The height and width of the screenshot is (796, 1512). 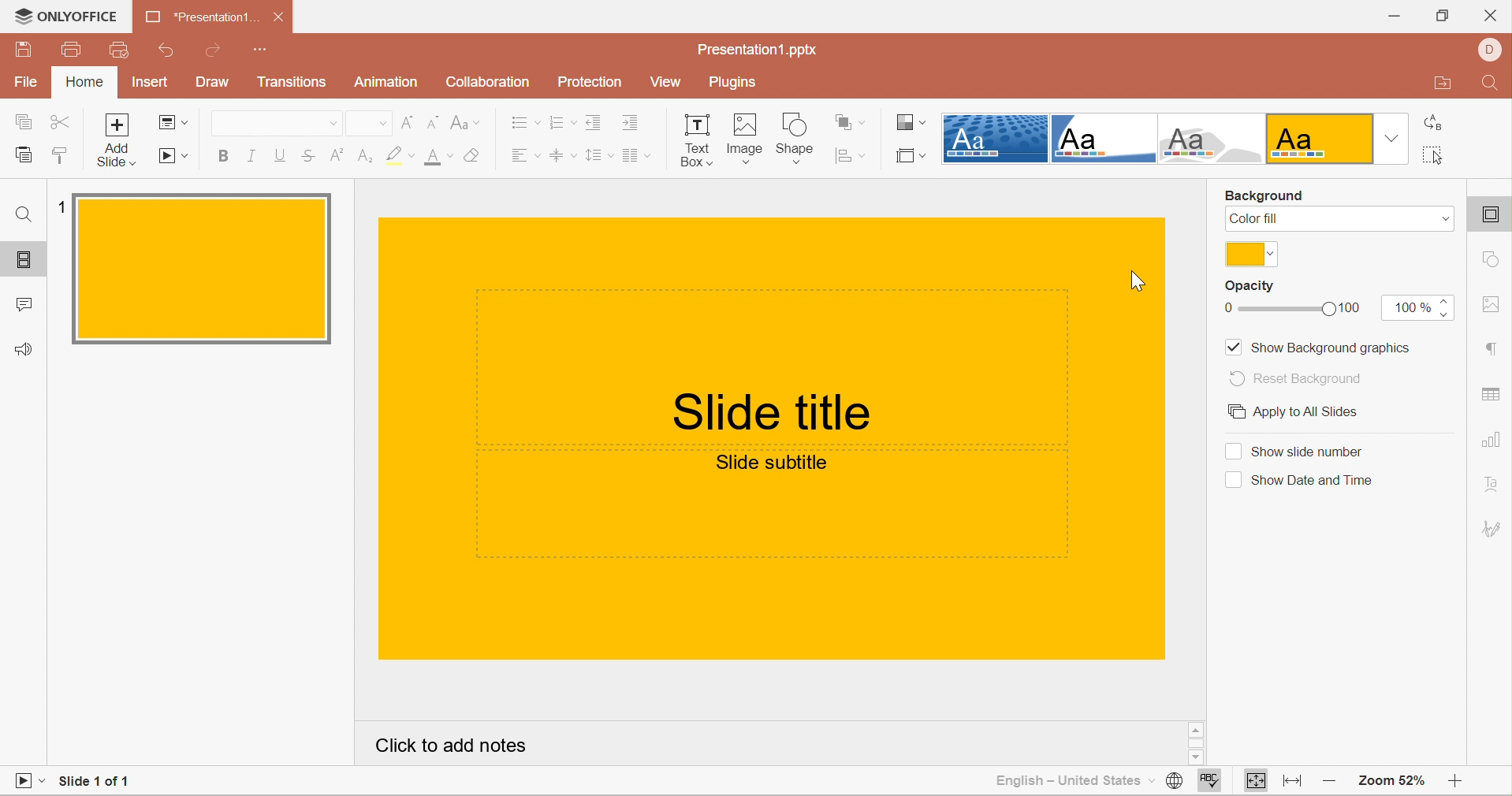 What do you see at coordinates (69, 50) in the screenshot?
I see `Print` at bounding box center [69, 50].